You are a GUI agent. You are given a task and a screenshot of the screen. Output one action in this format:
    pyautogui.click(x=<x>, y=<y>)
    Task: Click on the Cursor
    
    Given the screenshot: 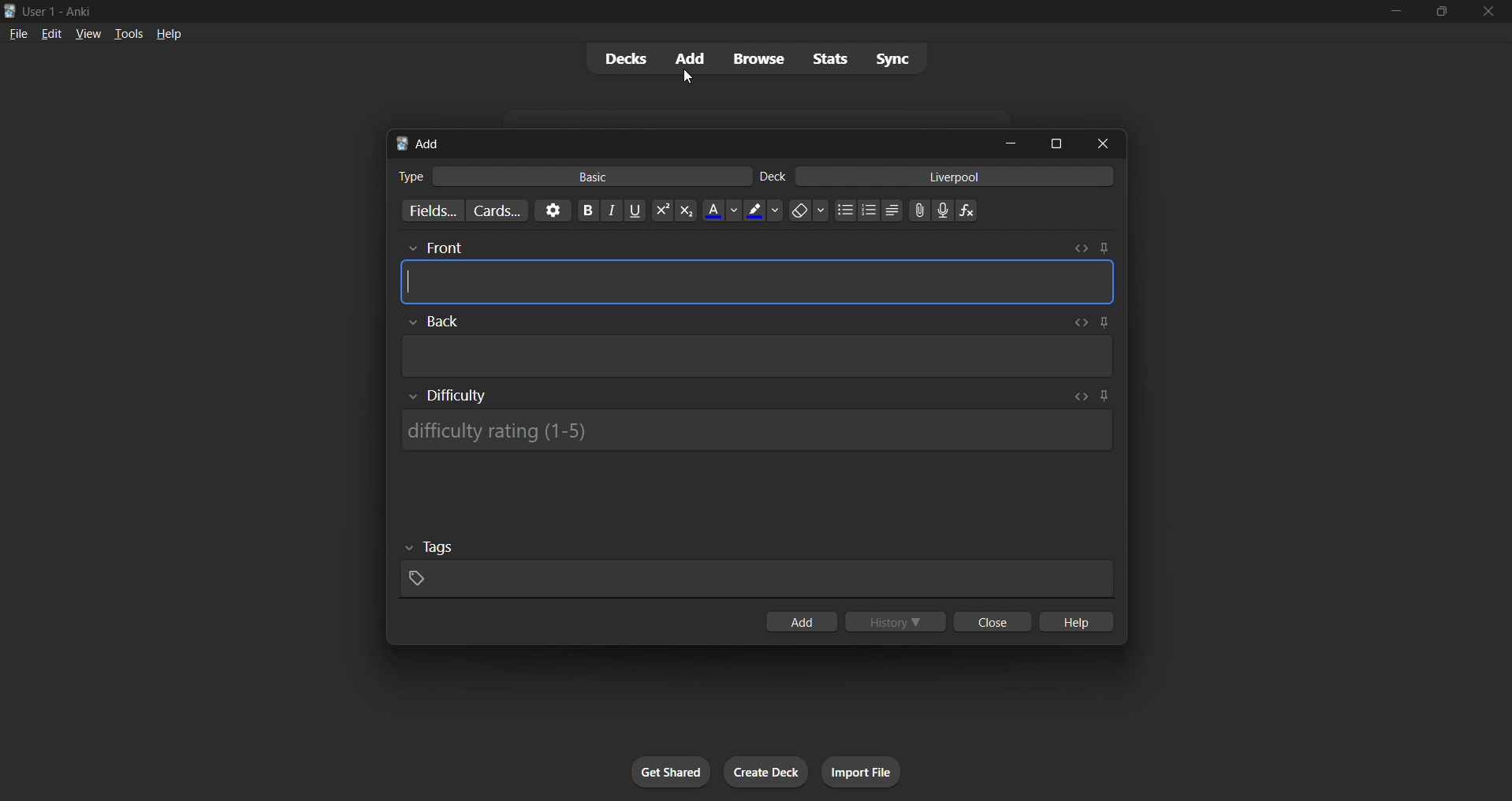 What is the action you would take?
    pyautogui.click(x=688, y=80)
    